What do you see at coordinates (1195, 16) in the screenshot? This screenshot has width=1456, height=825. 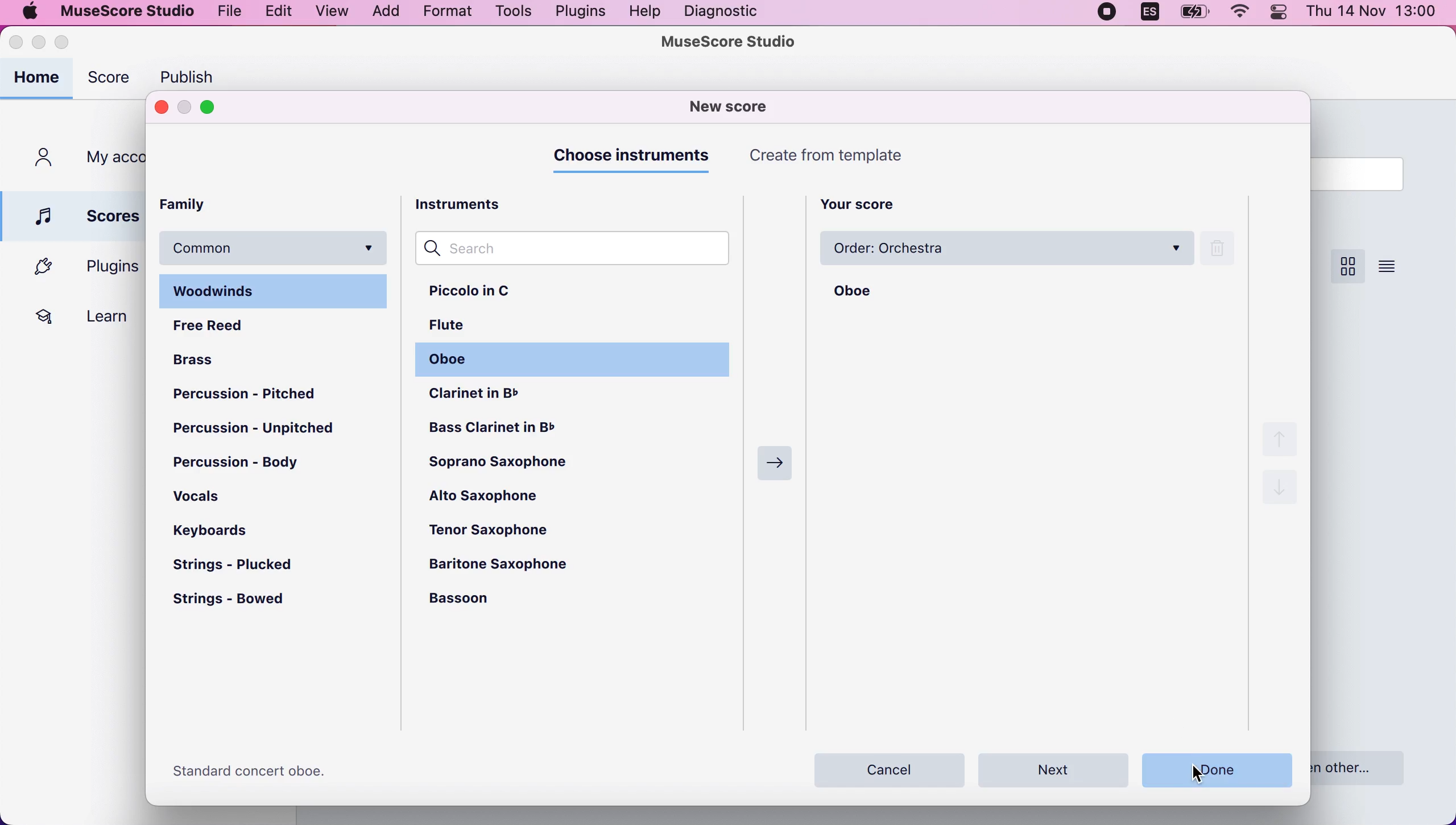 I see `battery` at bounding box center [1195, 16].